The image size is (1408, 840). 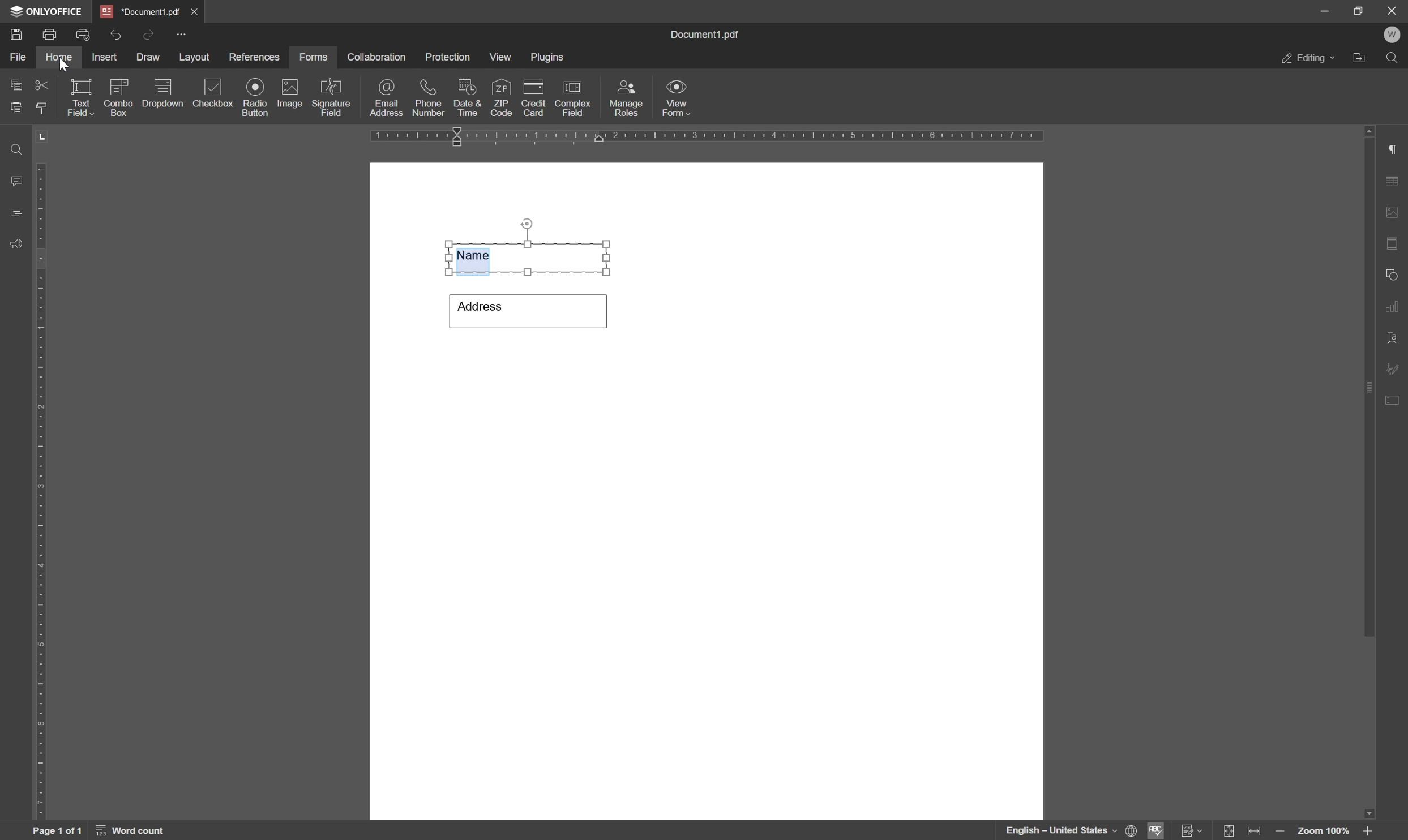 What do you see at coordinates (14, 181) in the screenshot?
I see `comments` at bounding box center [14, 181].